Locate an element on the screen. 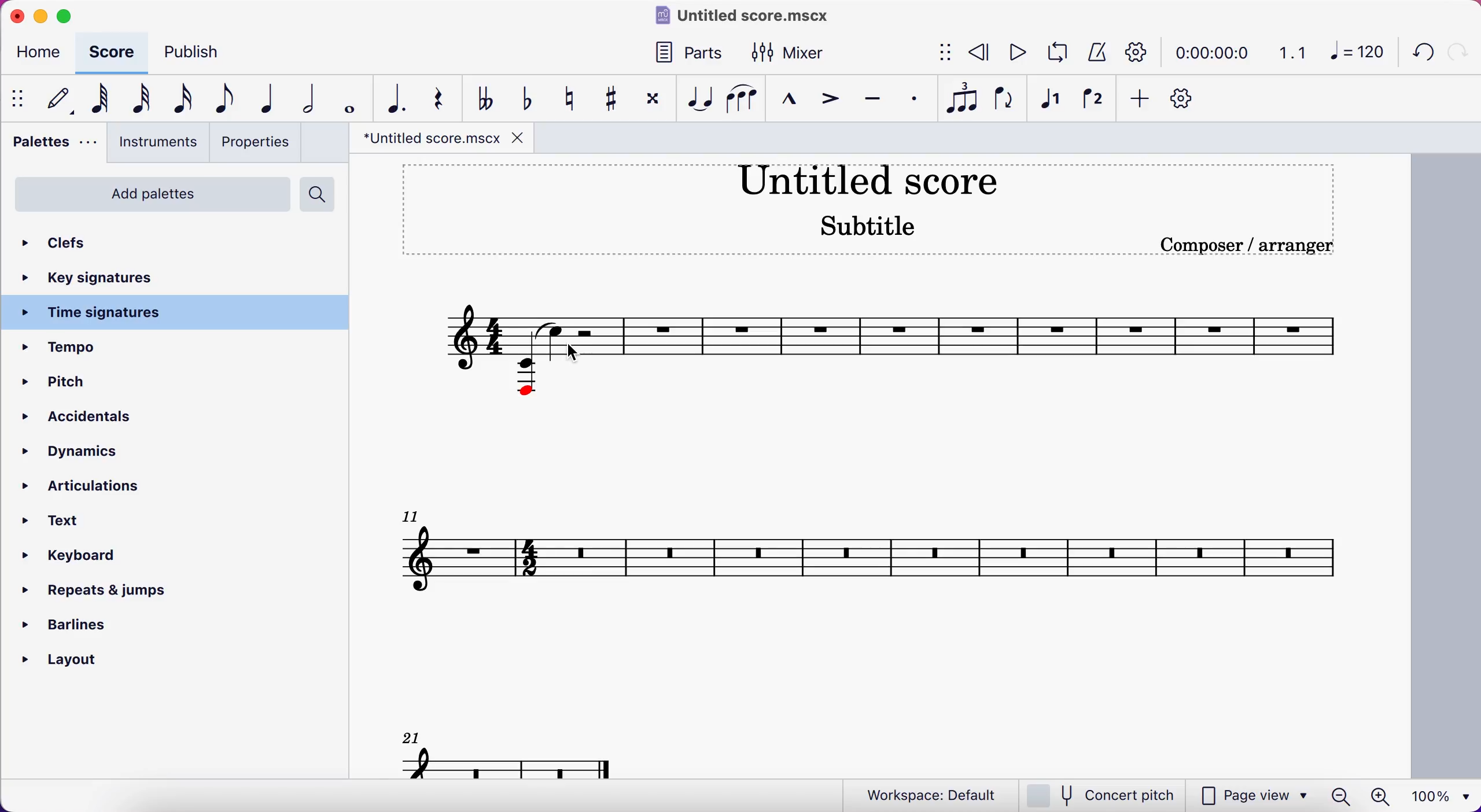  play is located at coordinates (1012, 54).